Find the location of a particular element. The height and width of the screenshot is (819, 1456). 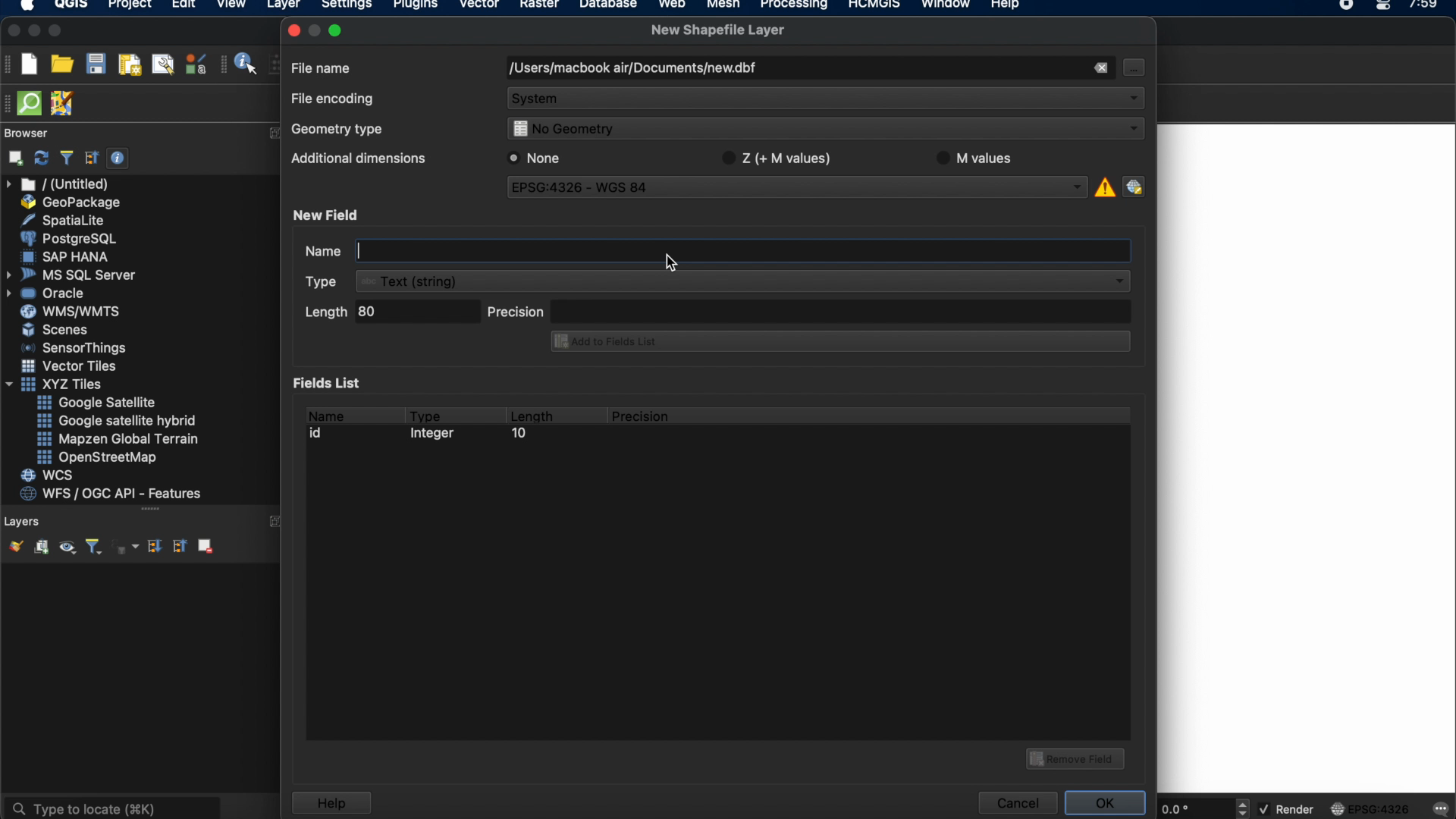

type to locate is located at coordinates (111, 807).